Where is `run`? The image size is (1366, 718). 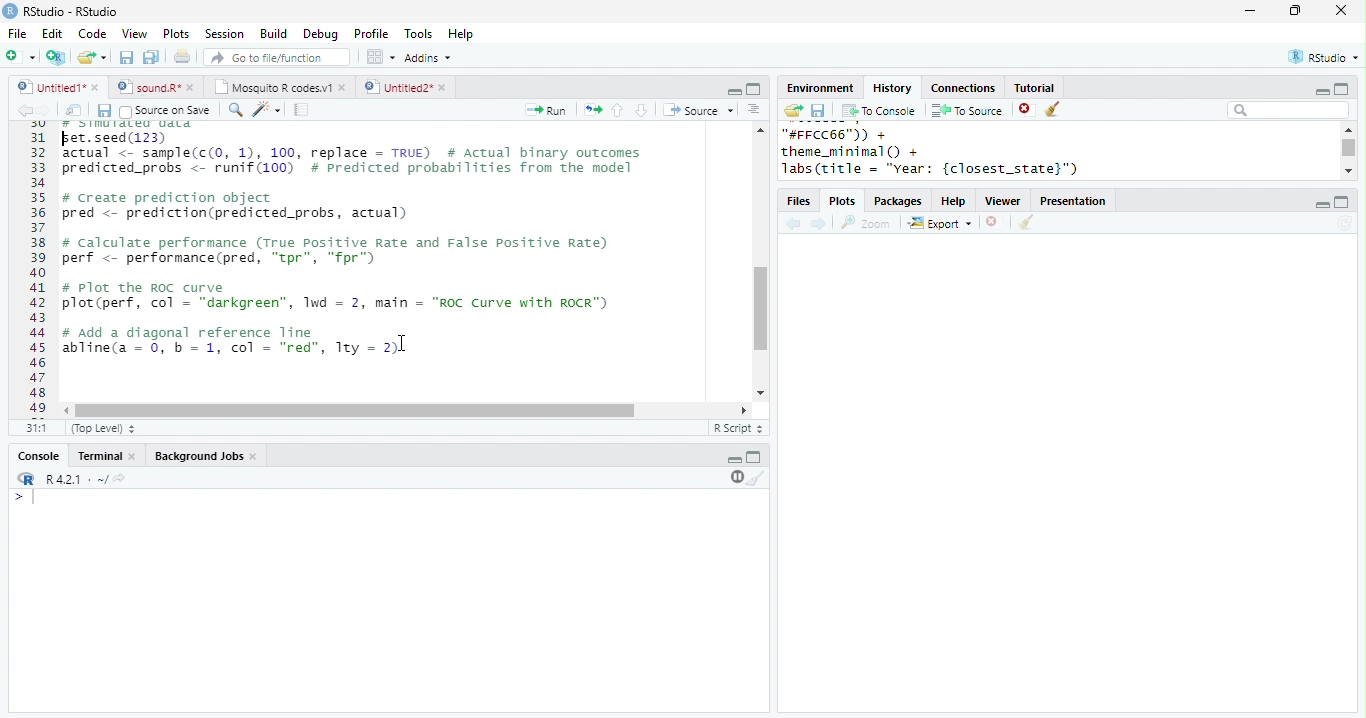
run is located at coordinates (545, 110).